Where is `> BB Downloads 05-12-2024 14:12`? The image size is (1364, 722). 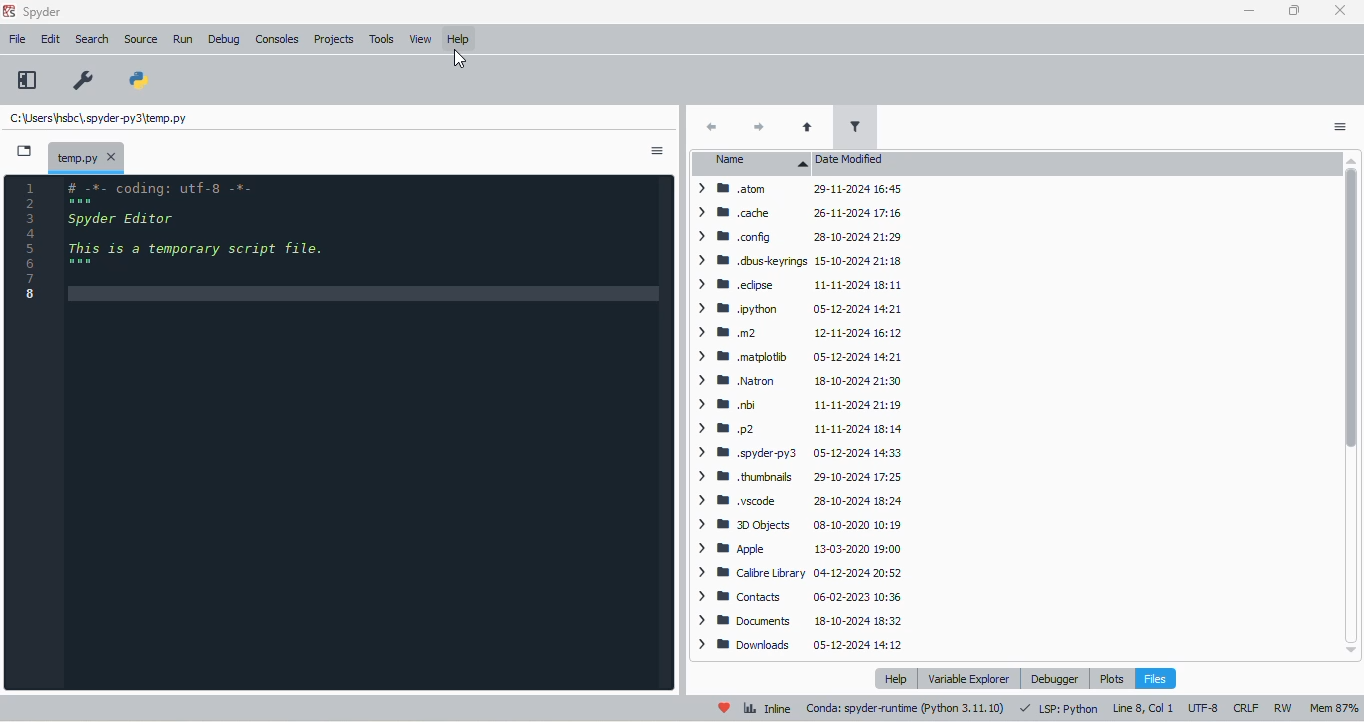
> BB Downloads 05-12-2024 14:12 is located at coordinates (799, 645).